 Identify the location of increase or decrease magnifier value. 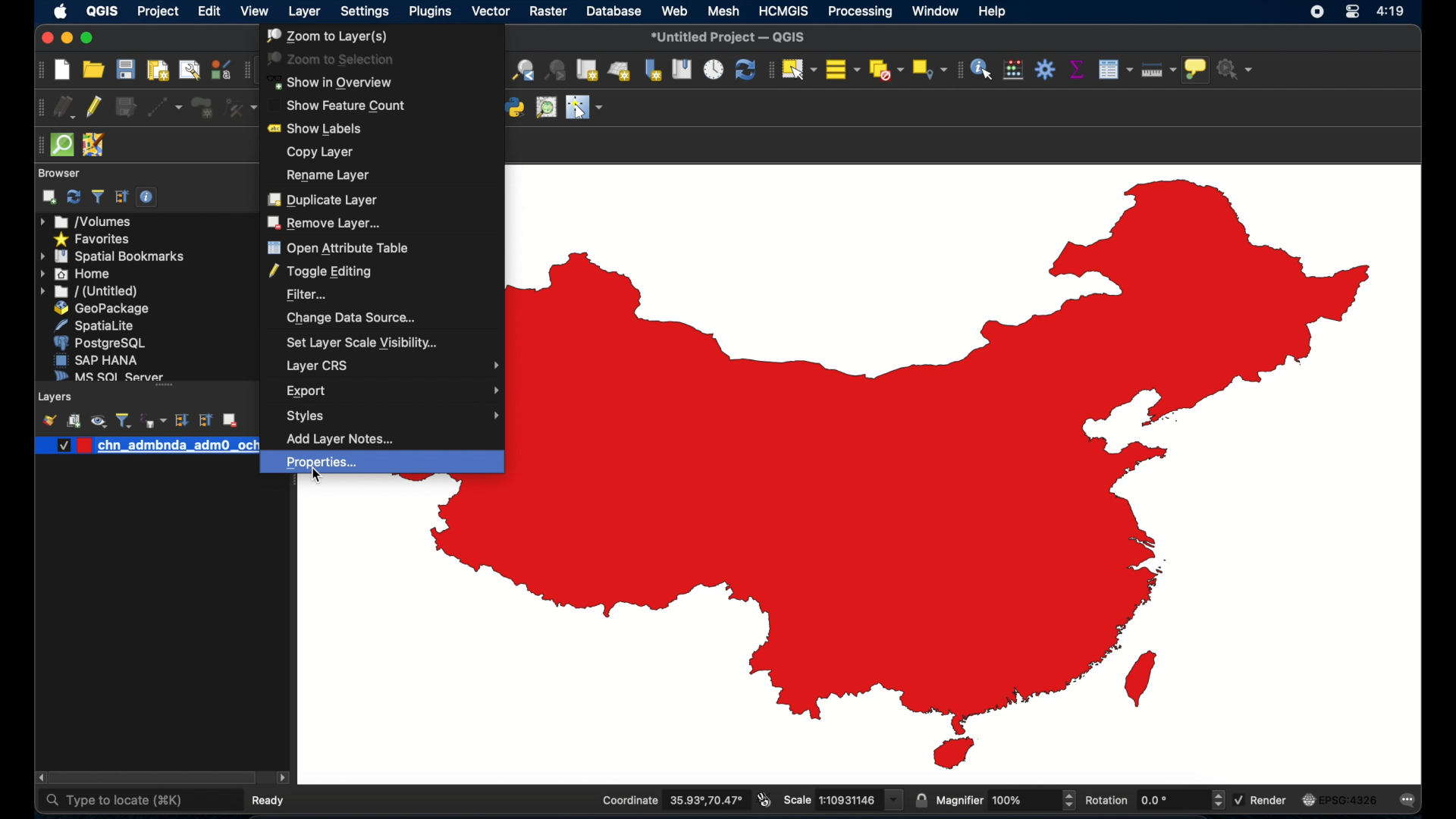
(1069, 800).